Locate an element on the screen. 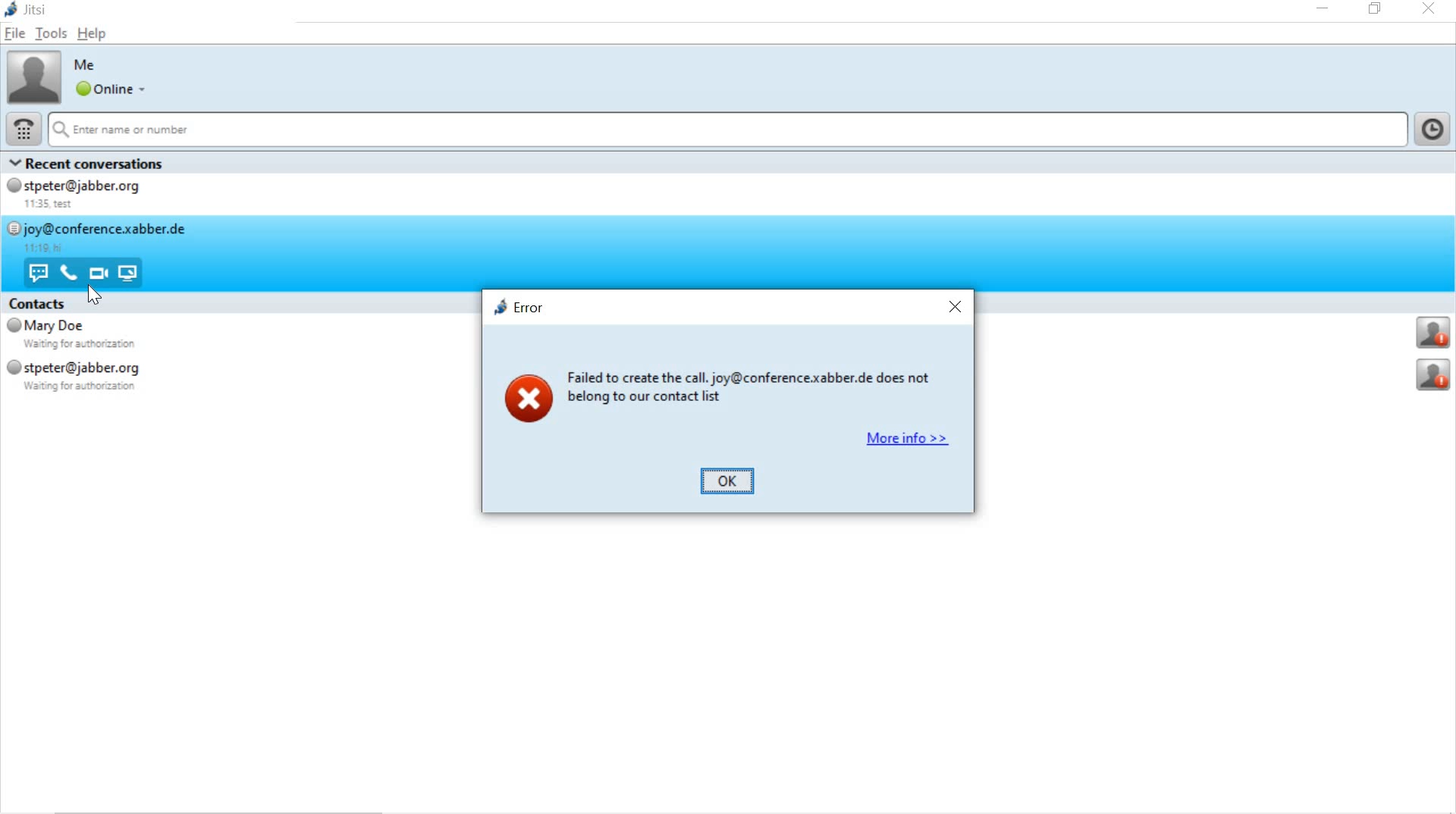 The height and width of the screenshot is (814, 1456). account picture is located at coordinates (33, 76).